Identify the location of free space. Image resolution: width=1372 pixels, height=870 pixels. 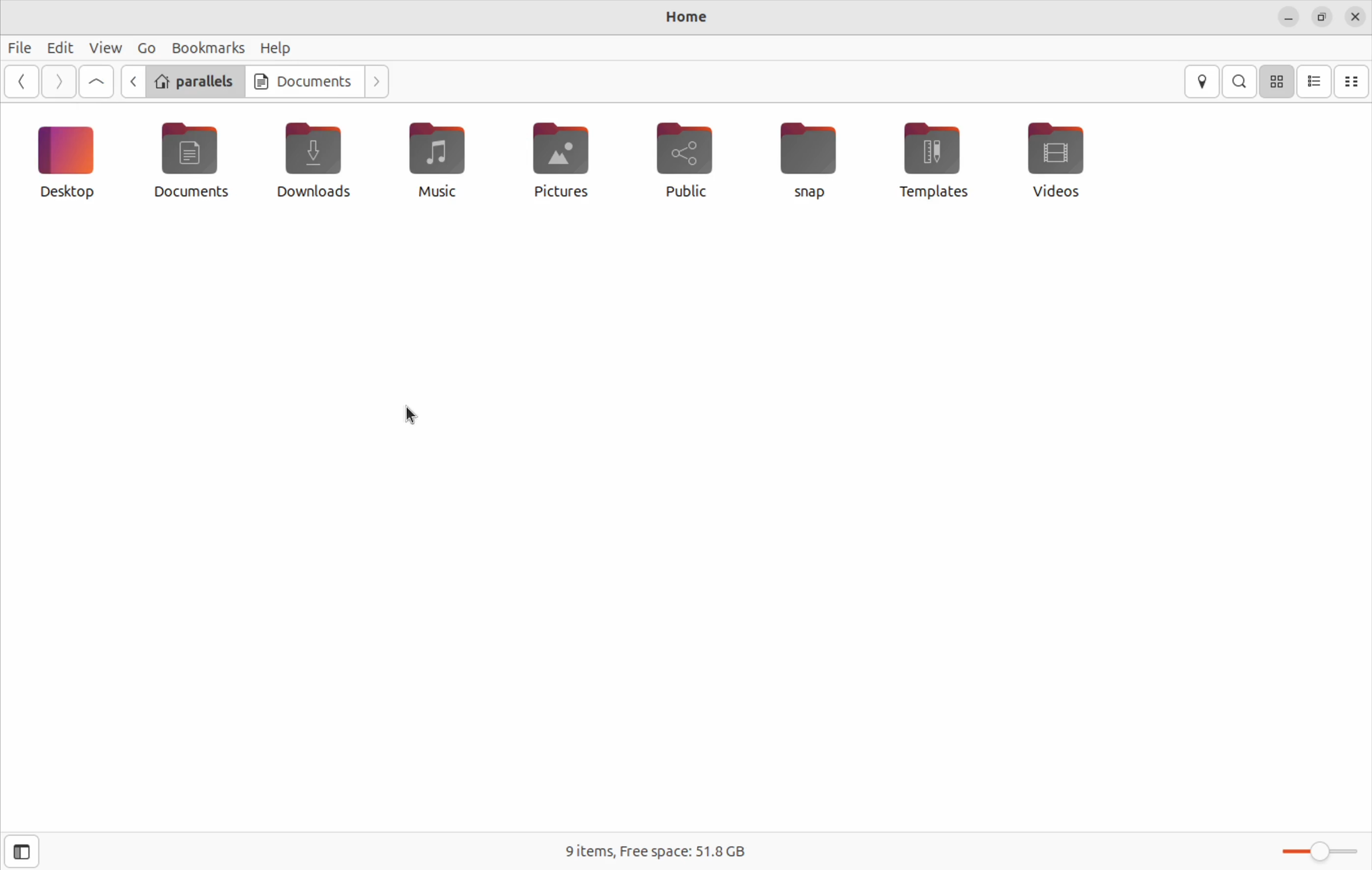
(658, 851).